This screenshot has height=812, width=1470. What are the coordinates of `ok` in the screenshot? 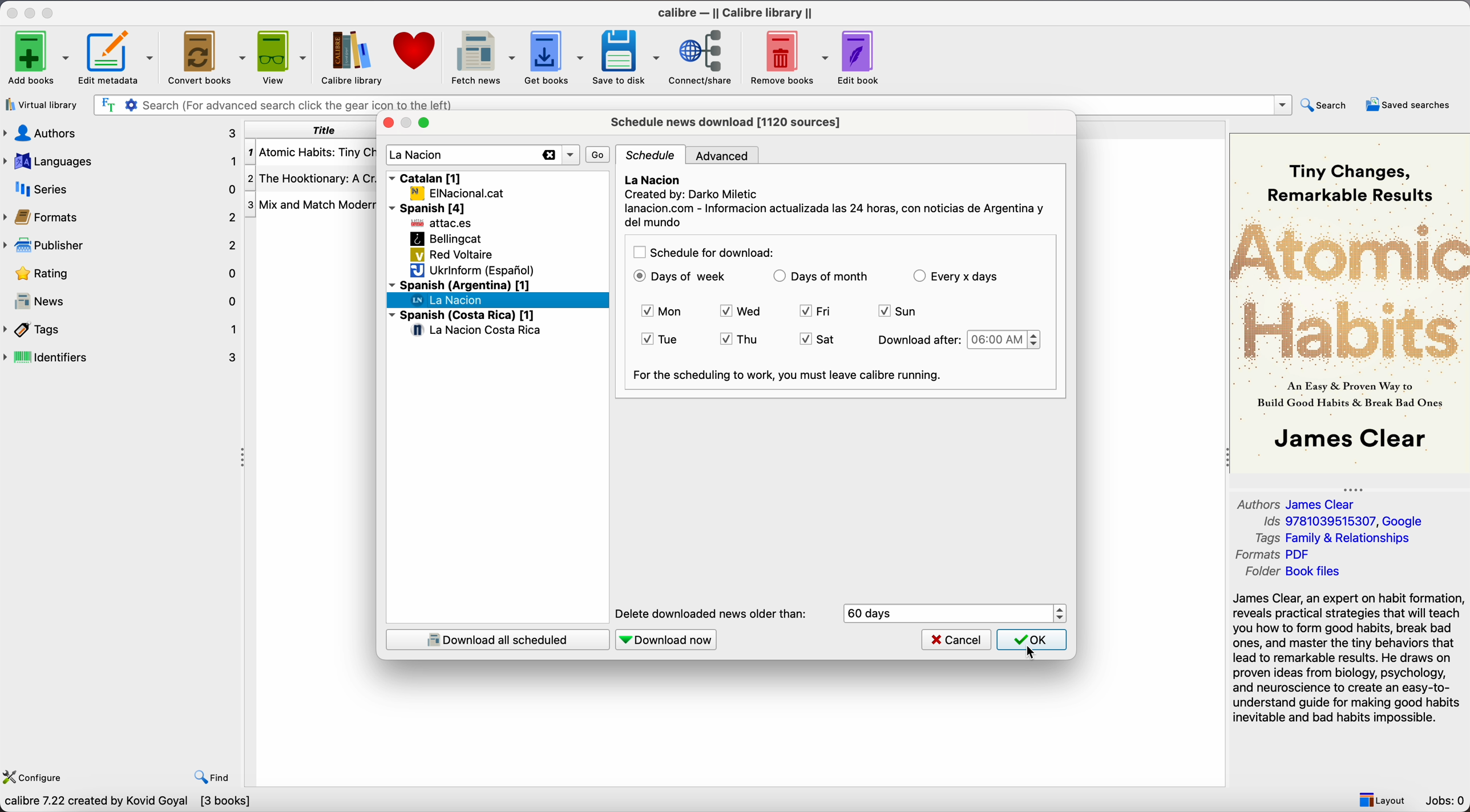 It's located at (1035, 641).